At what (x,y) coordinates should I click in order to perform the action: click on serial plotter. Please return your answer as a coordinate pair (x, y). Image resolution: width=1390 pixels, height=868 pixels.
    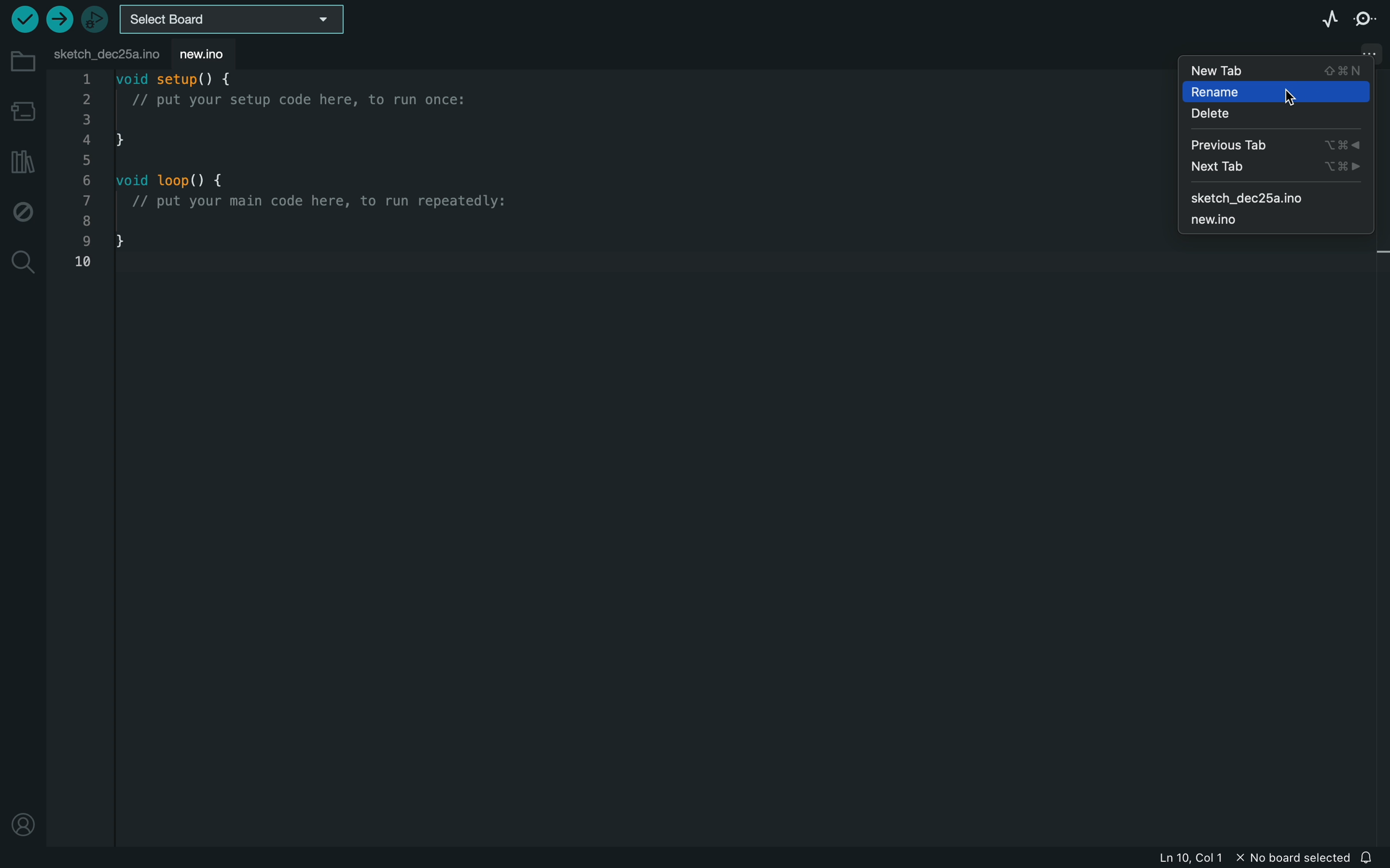
    Looking at the image, I should click on (1321, 20).